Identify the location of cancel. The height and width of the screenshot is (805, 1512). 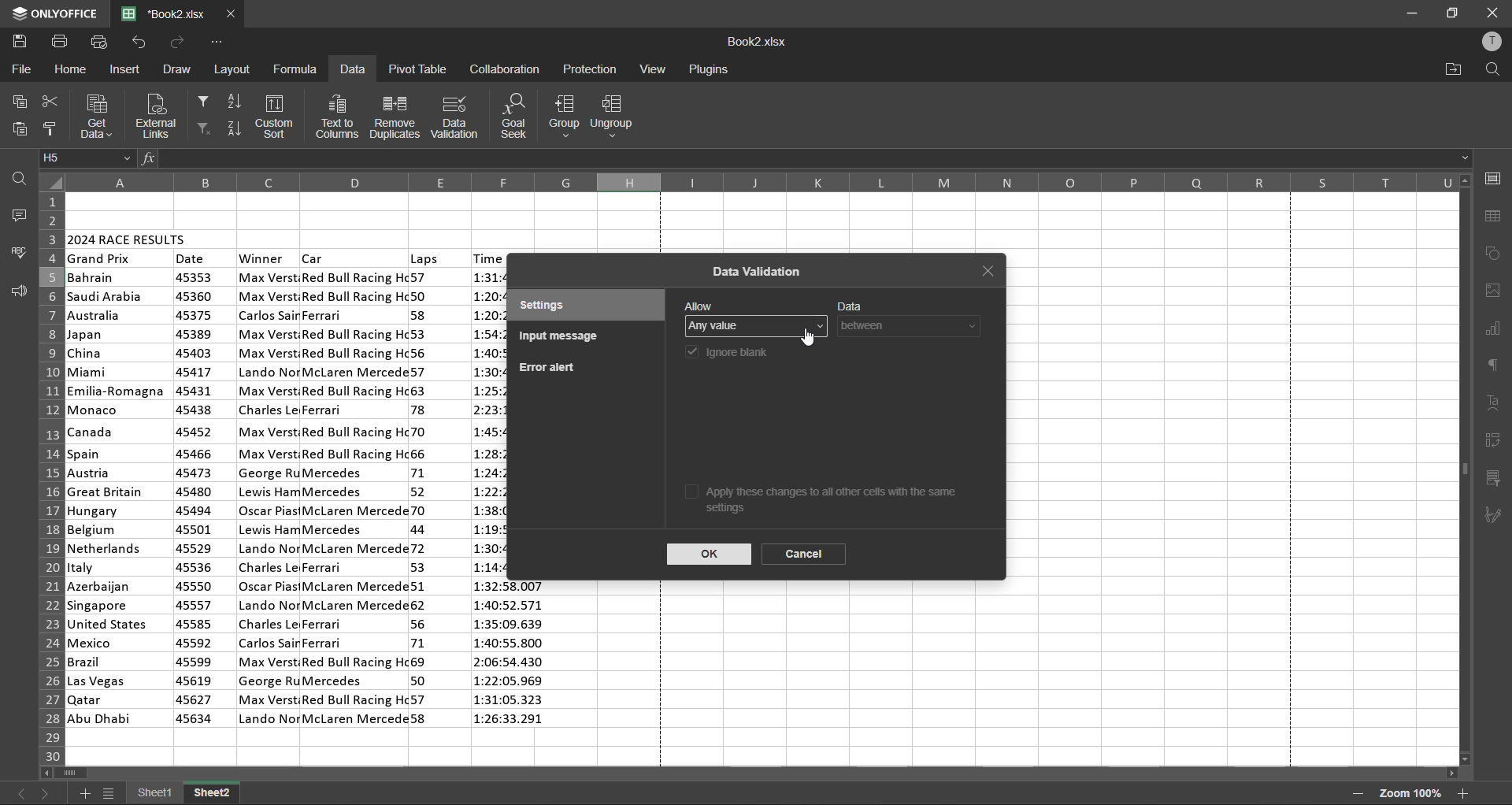
(803, 555).